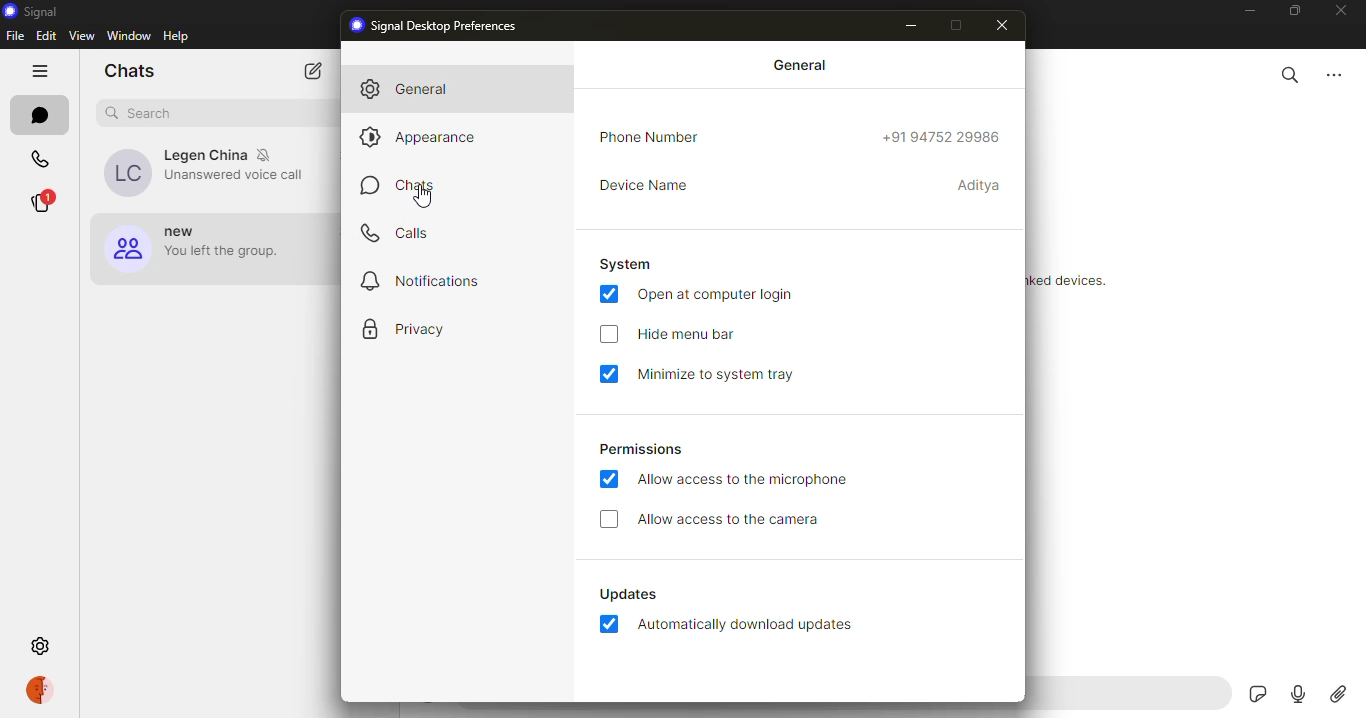 The image size is (1366, 718). What do you see at coordinates (631, 595) in the screenshot?
I see `updates` at bounding box center [631, 595].